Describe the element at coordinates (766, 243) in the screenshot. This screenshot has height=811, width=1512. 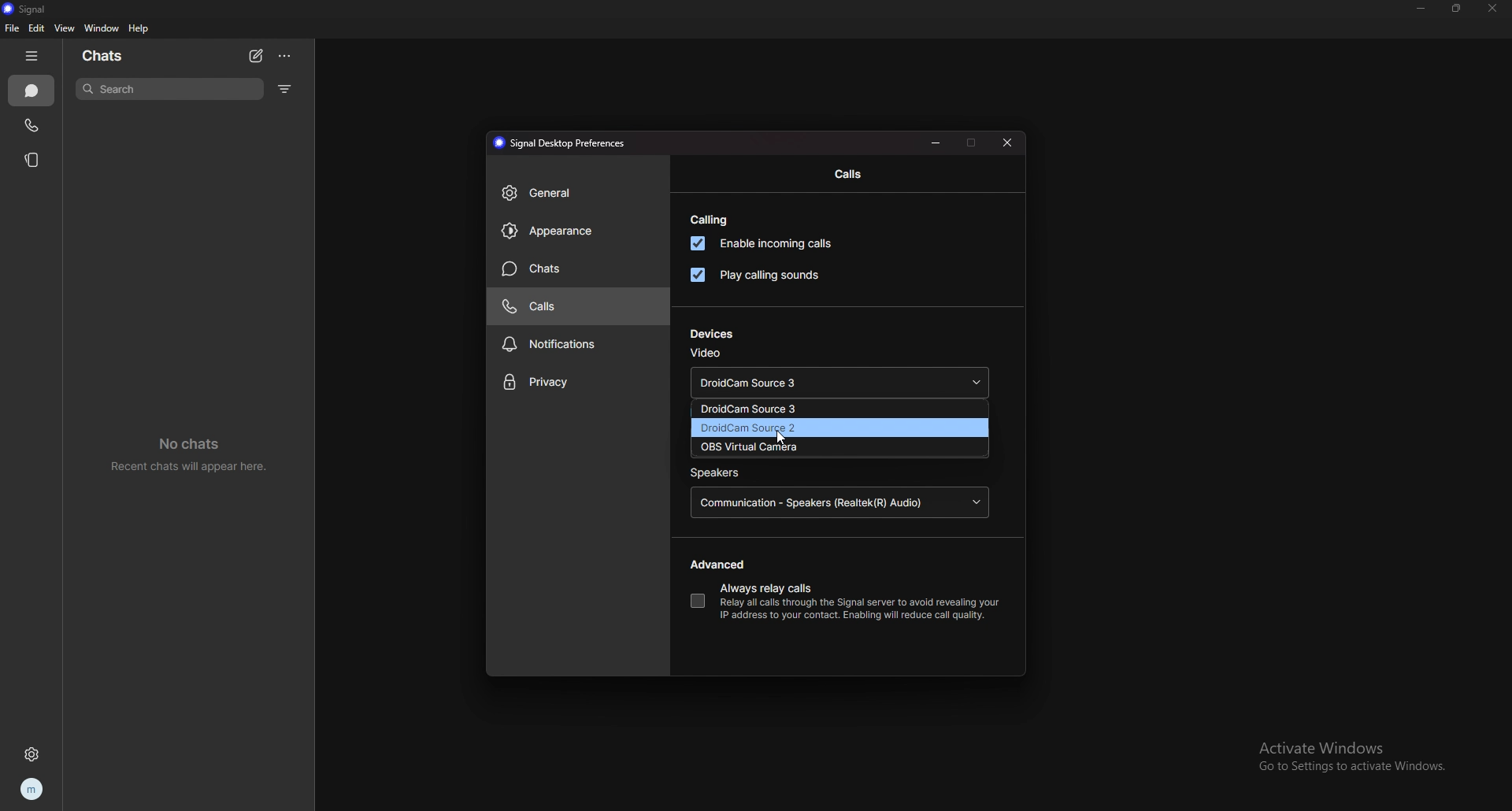
I see `enable incoming calls` at that location.